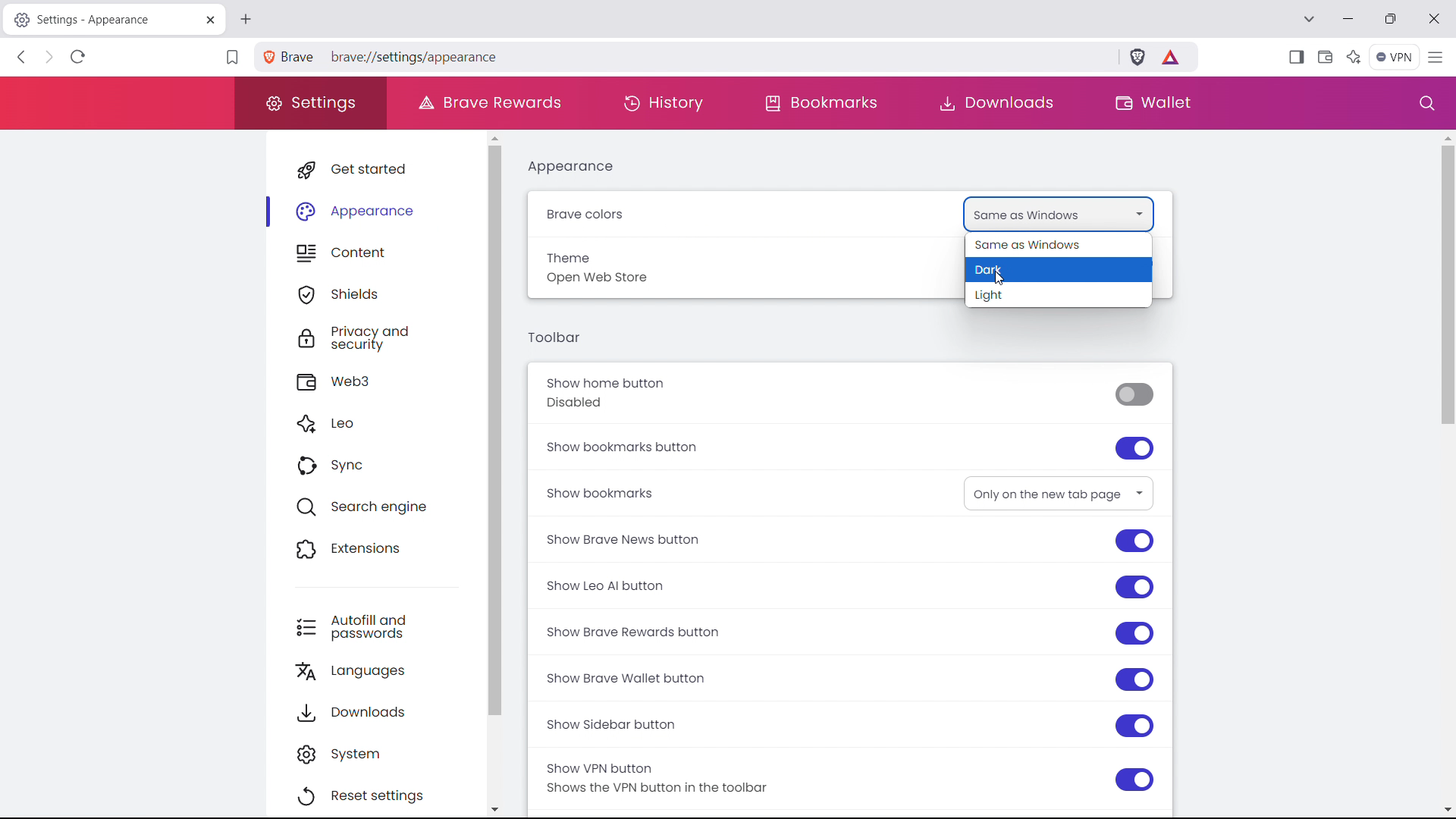 This screenshot has height=819, width=1456. I want to click on Theme Open Web store, so click(740, 267).